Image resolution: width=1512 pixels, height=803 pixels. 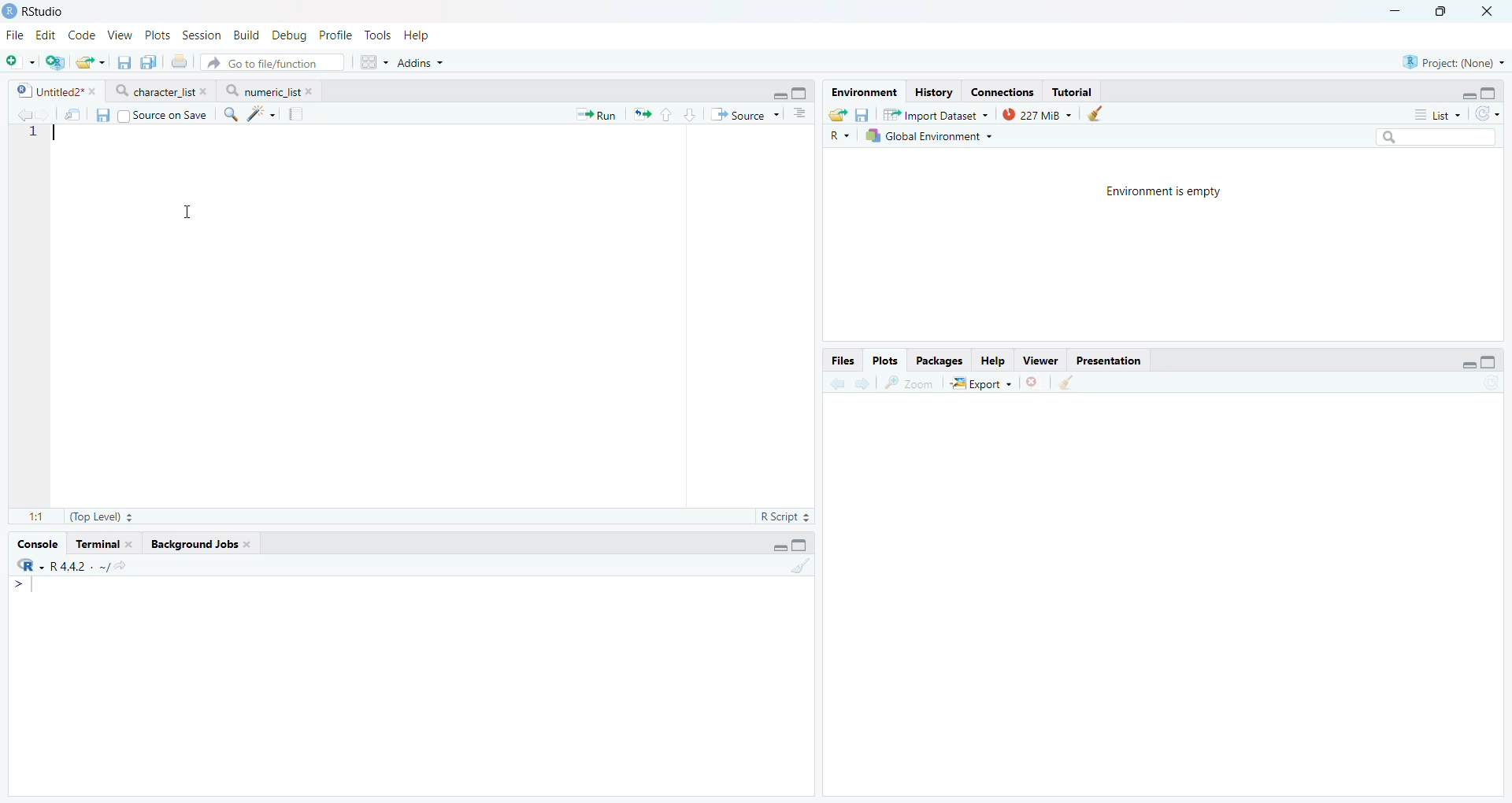 What do you see at coordinates (178, 62) in the screenshot?
I see `Print` at bounding box center [178, 62].